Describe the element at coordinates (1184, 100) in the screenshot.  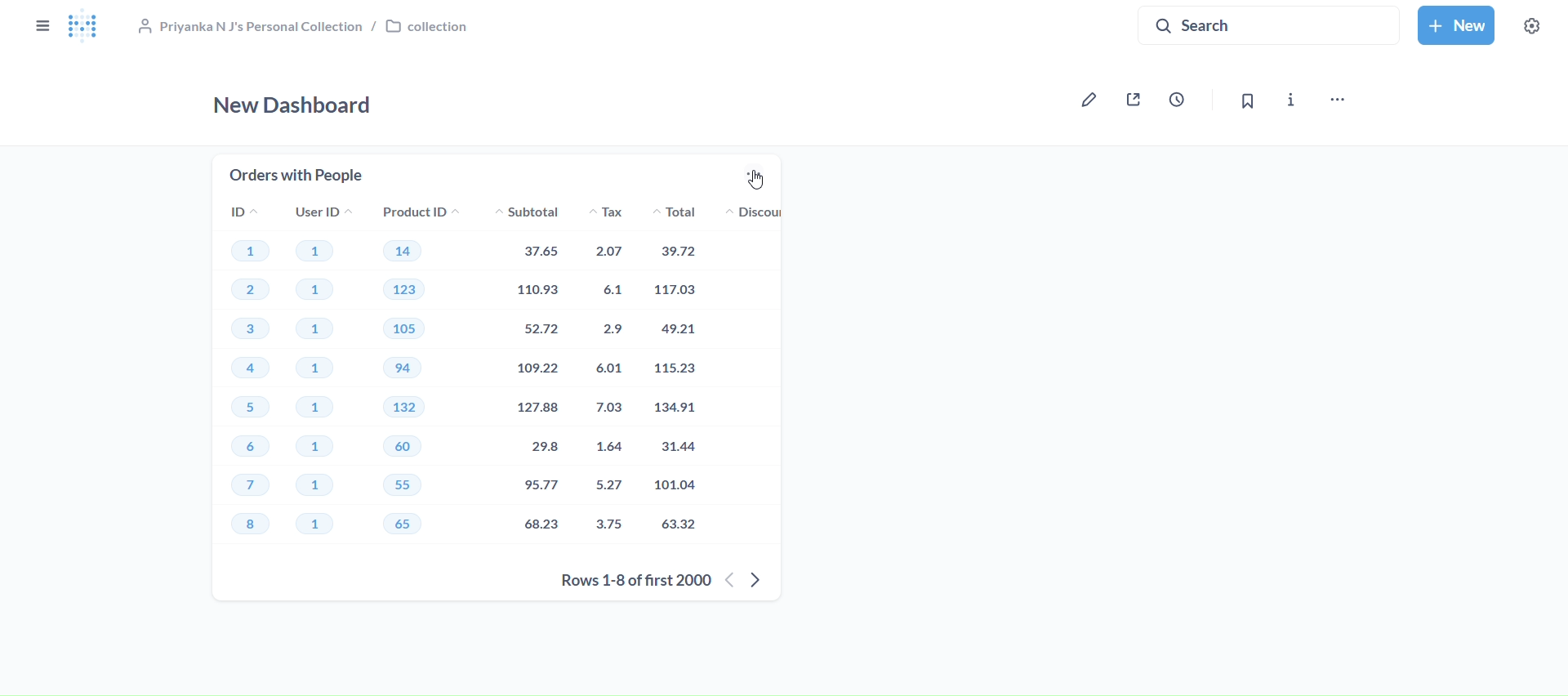
I see `auto-update` at that location.